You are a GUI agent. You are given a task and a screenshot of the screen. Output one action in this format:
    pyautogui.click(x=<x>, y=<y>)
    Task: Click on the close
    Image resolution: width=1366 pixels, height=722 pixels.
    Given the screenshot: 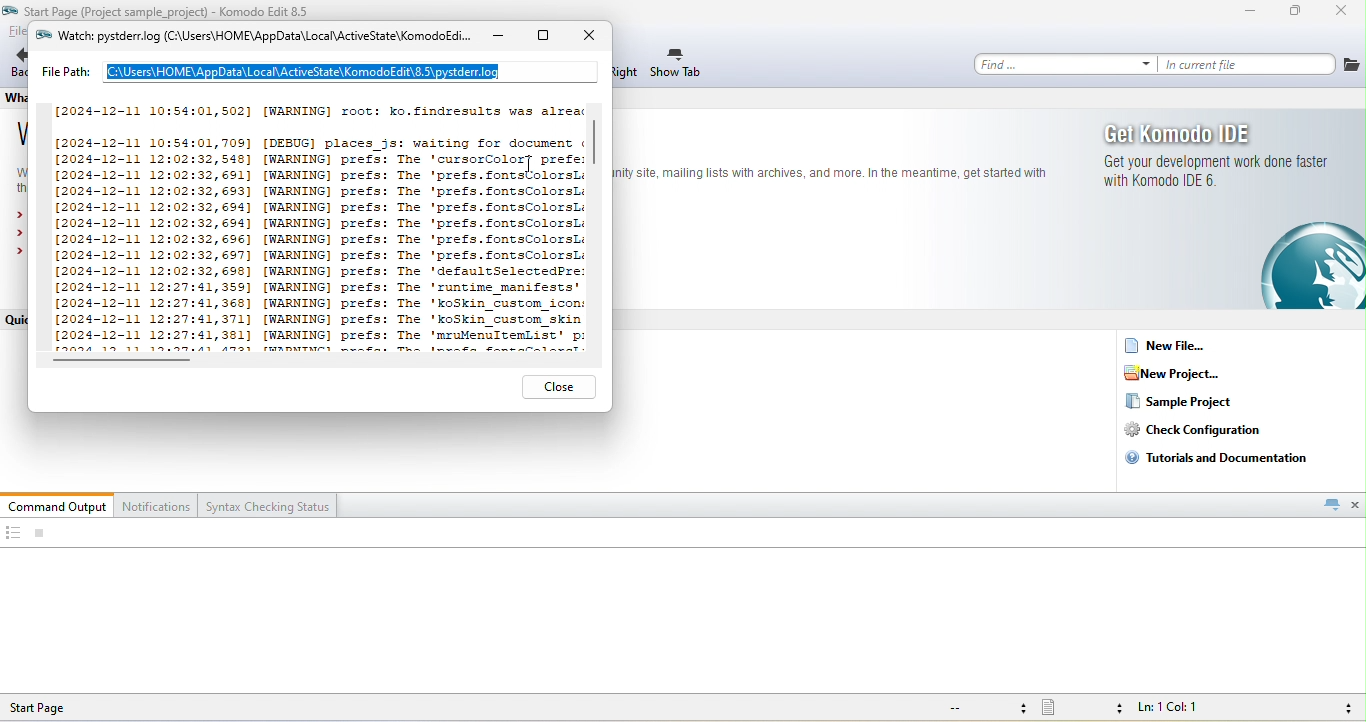 What is the action you would take?
    pyautogui.click(x=1356, y=504)
    